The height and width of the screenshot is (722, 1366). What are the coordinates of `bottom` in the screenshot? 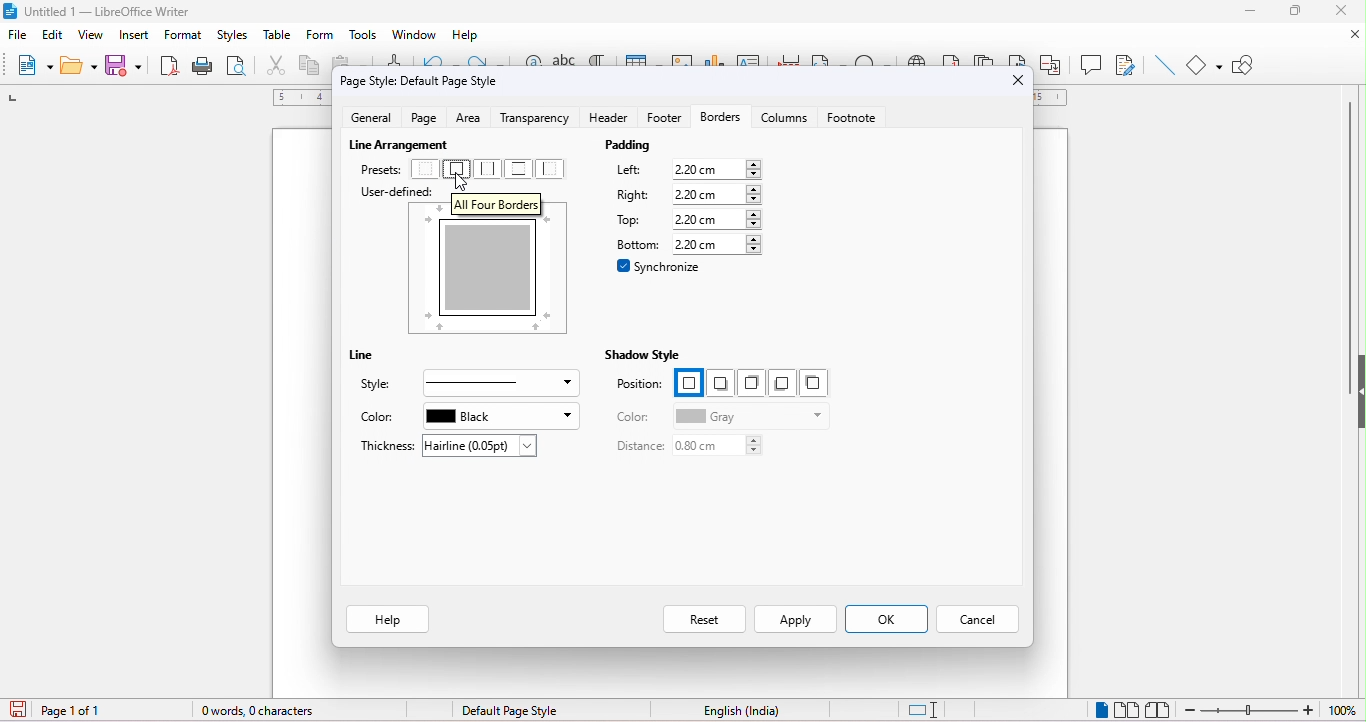 It's located at (635, 243).